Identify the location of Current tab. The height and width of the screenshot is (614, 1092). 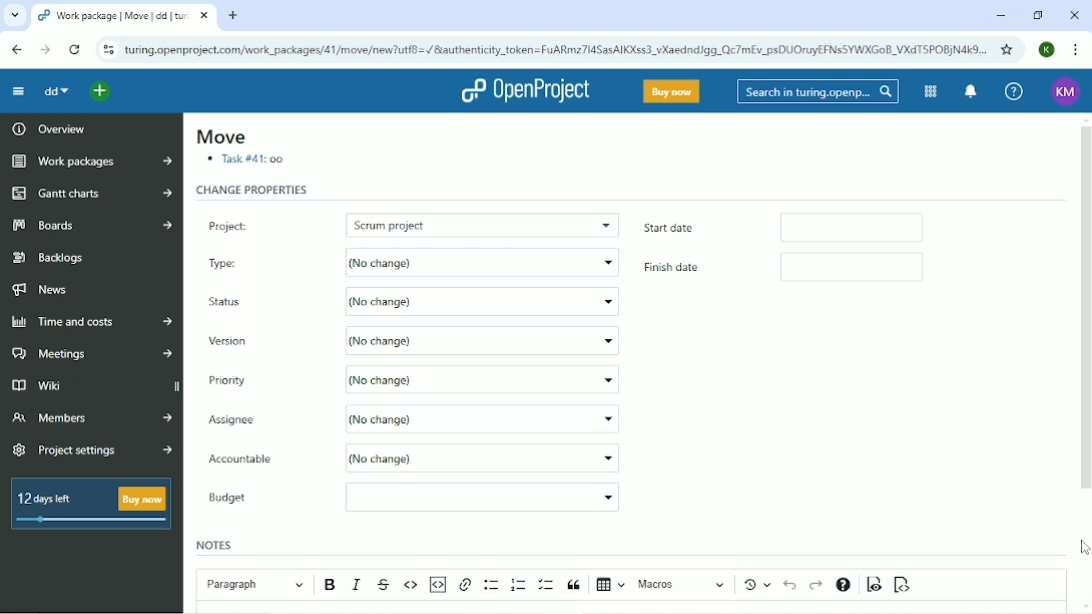
(122, 16).